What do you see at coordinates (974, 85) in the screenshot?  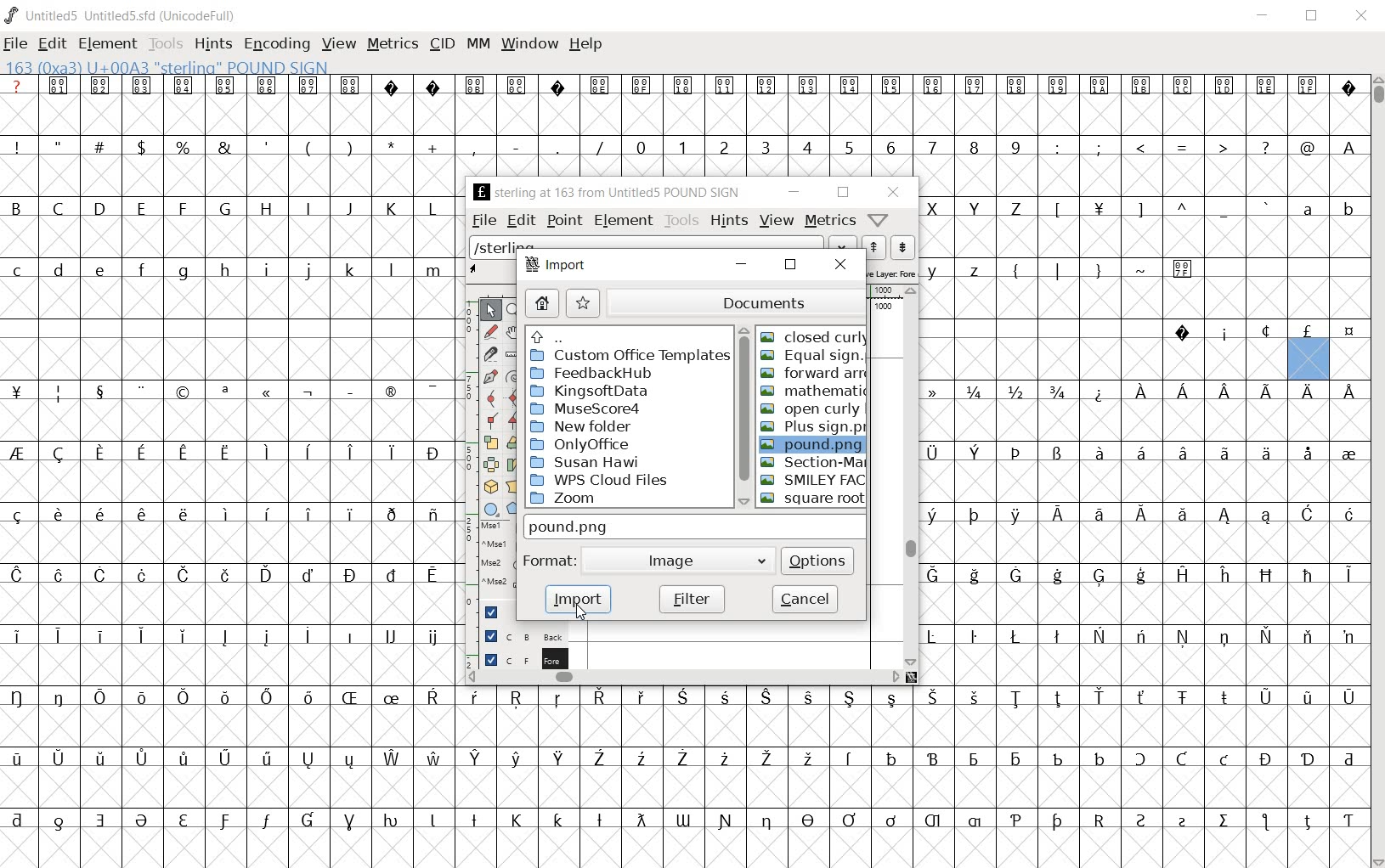 I see `Symbol` at bounding box center [974, 85].